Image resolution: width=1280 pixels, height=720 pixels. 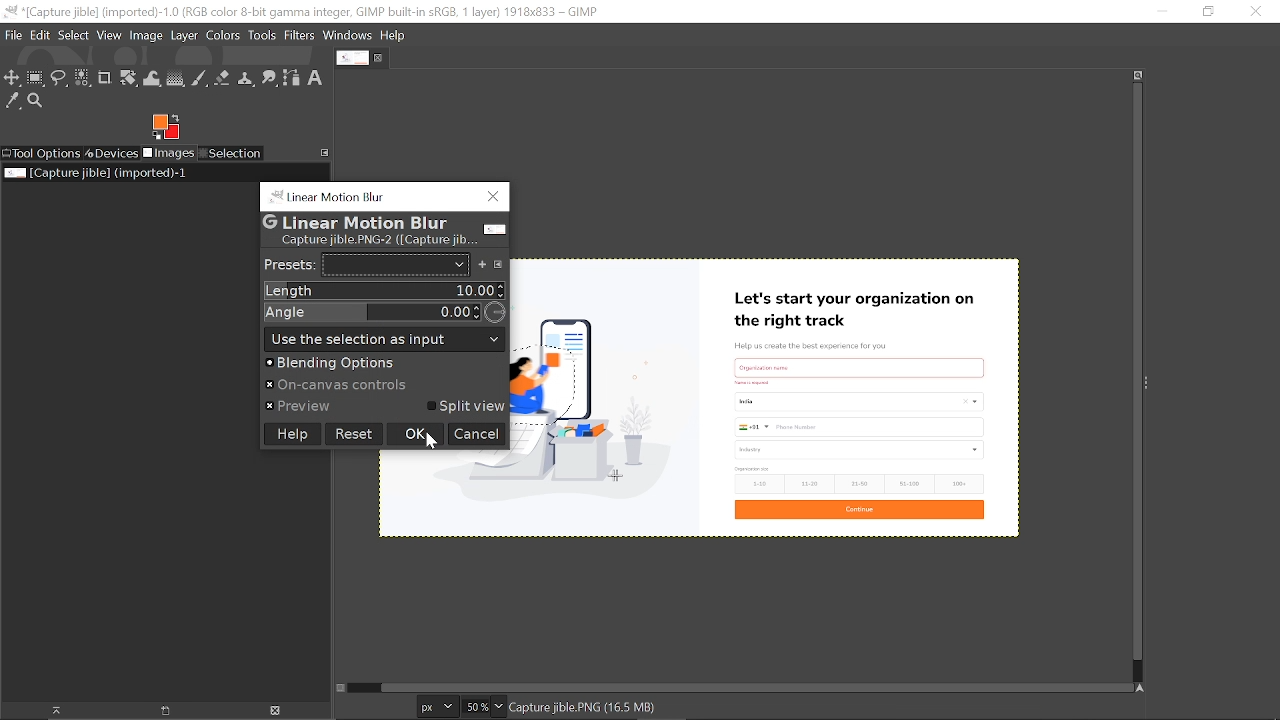 What do you see at coordinates (818, 396) in the screenshot?
I see `Current image` at bounding box center [818, 396].